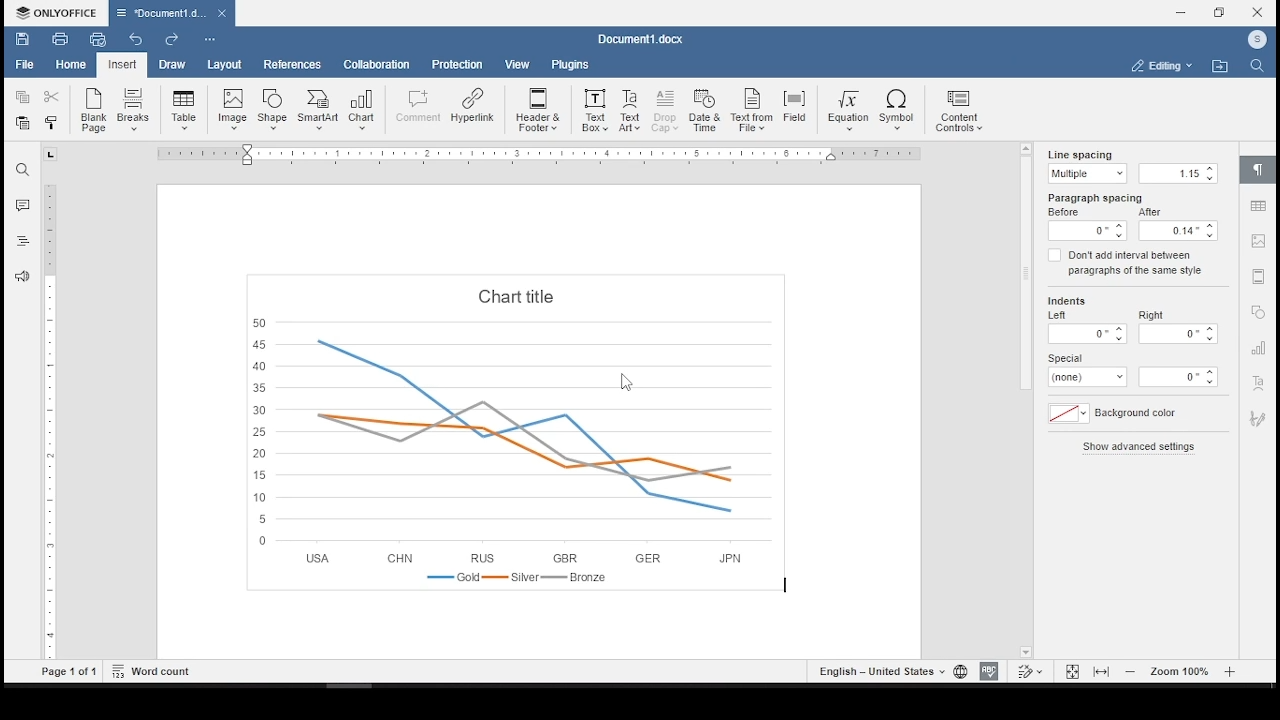 The height and width of the screenshot is (720, 1280). What do you see at coordinates (666, 111) in the screenshot?
I see `drop cap` at bounding box center [666, 111].